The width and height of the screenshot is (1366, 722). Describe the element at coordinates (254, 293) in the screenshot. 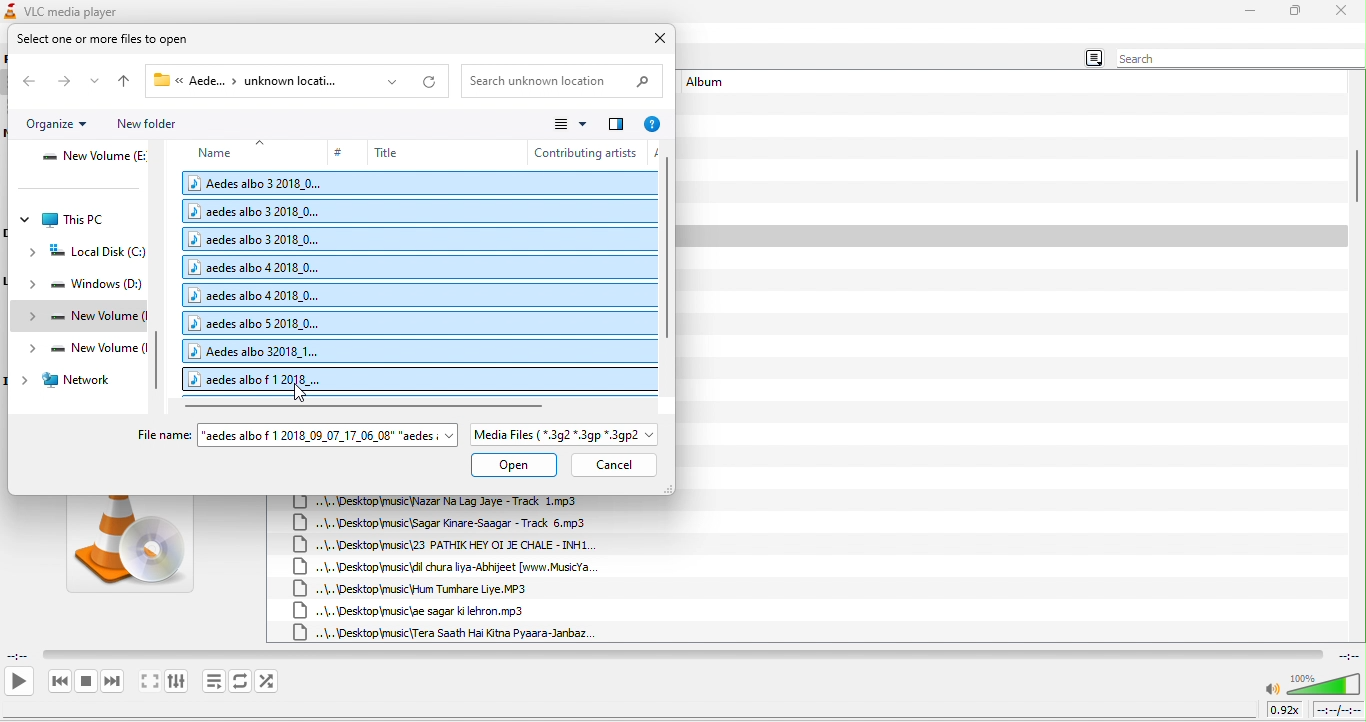

I see `aedes albo 4 2018_0...` at that location.